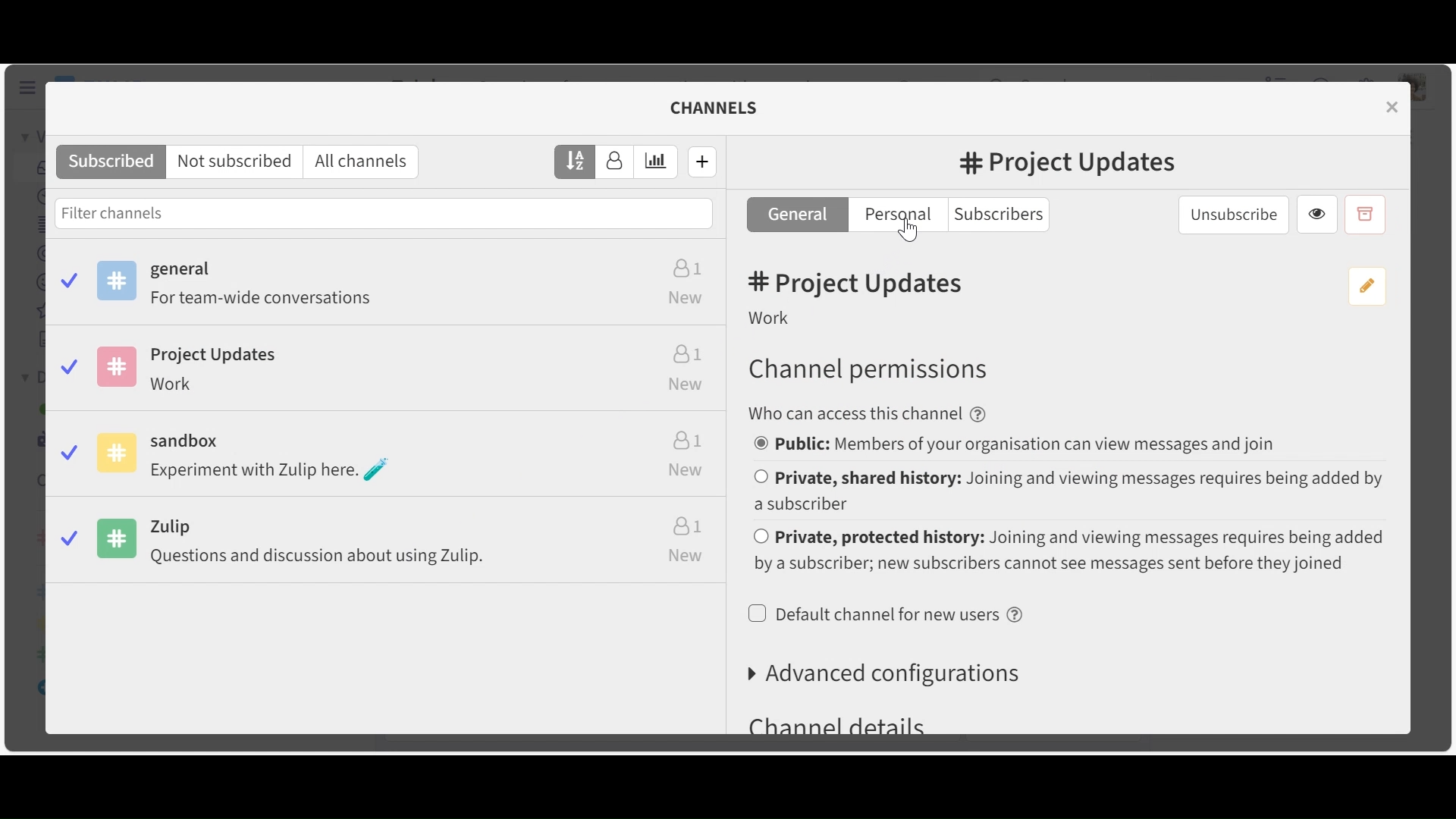 The width and height of the screenshot is (1456, 819). What do you see at coordinates (1364, 215) in the screenshot?
I see `Archive channel` at bounding box center [1364, 215].